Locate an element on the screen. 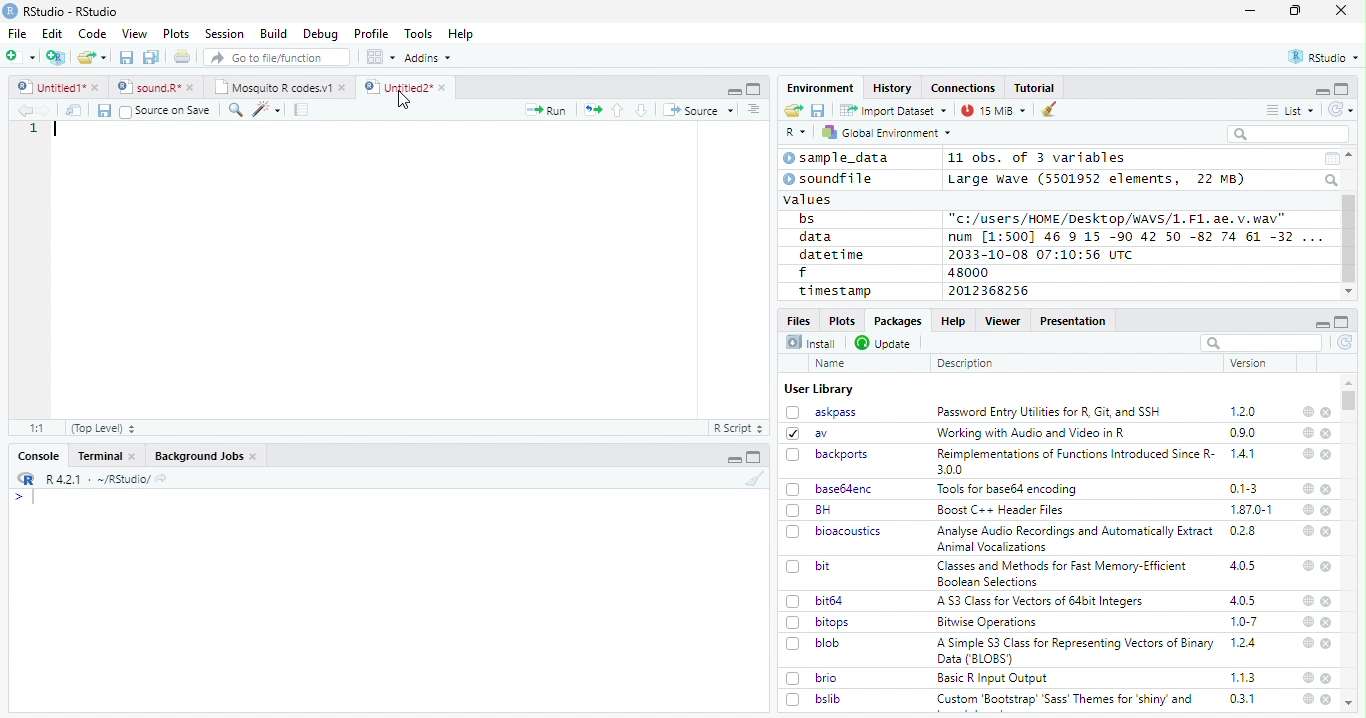  go forward is located at coordinates (48, 110).